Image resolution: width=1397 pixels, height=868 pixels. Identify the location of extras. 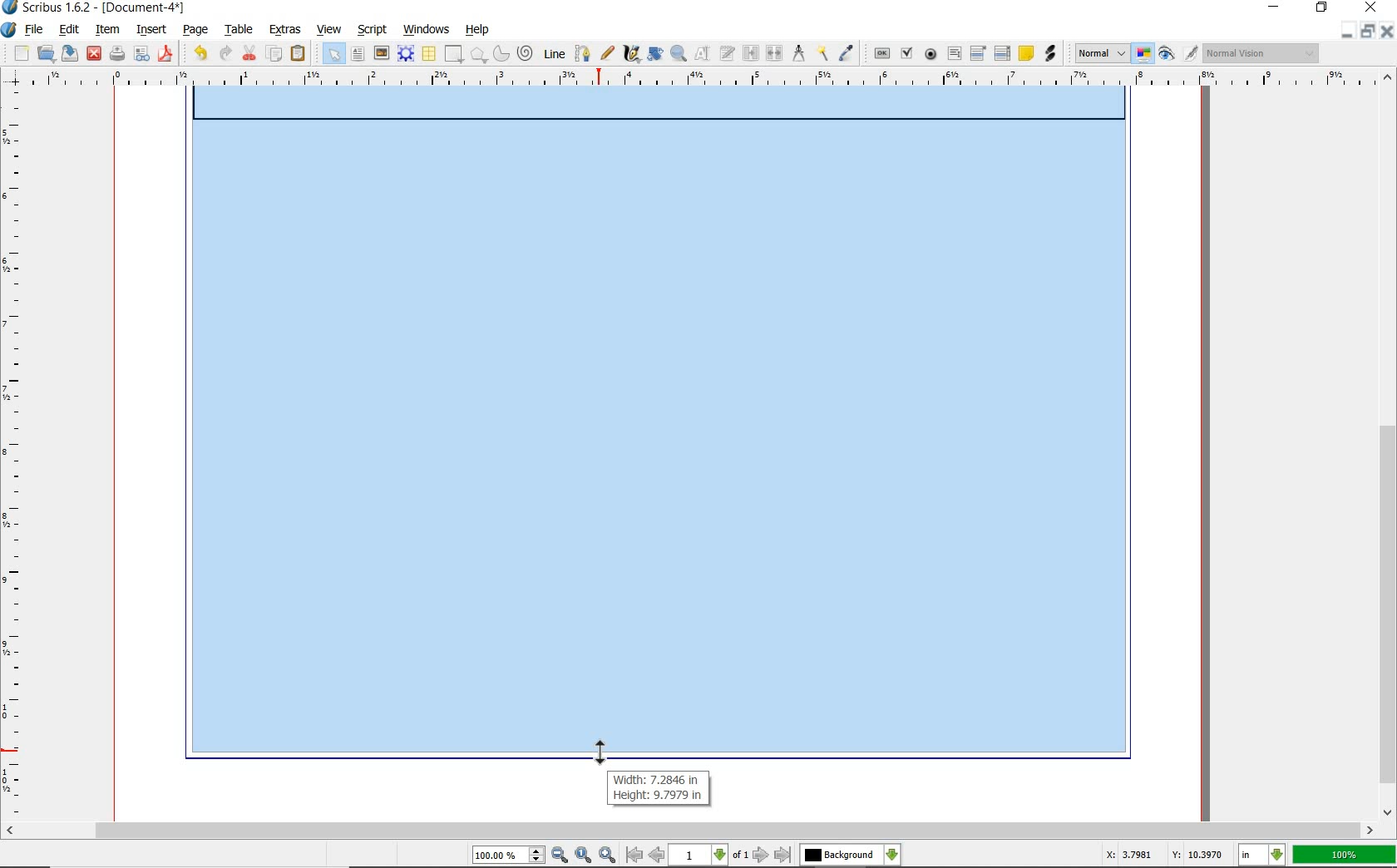
(284, 30).